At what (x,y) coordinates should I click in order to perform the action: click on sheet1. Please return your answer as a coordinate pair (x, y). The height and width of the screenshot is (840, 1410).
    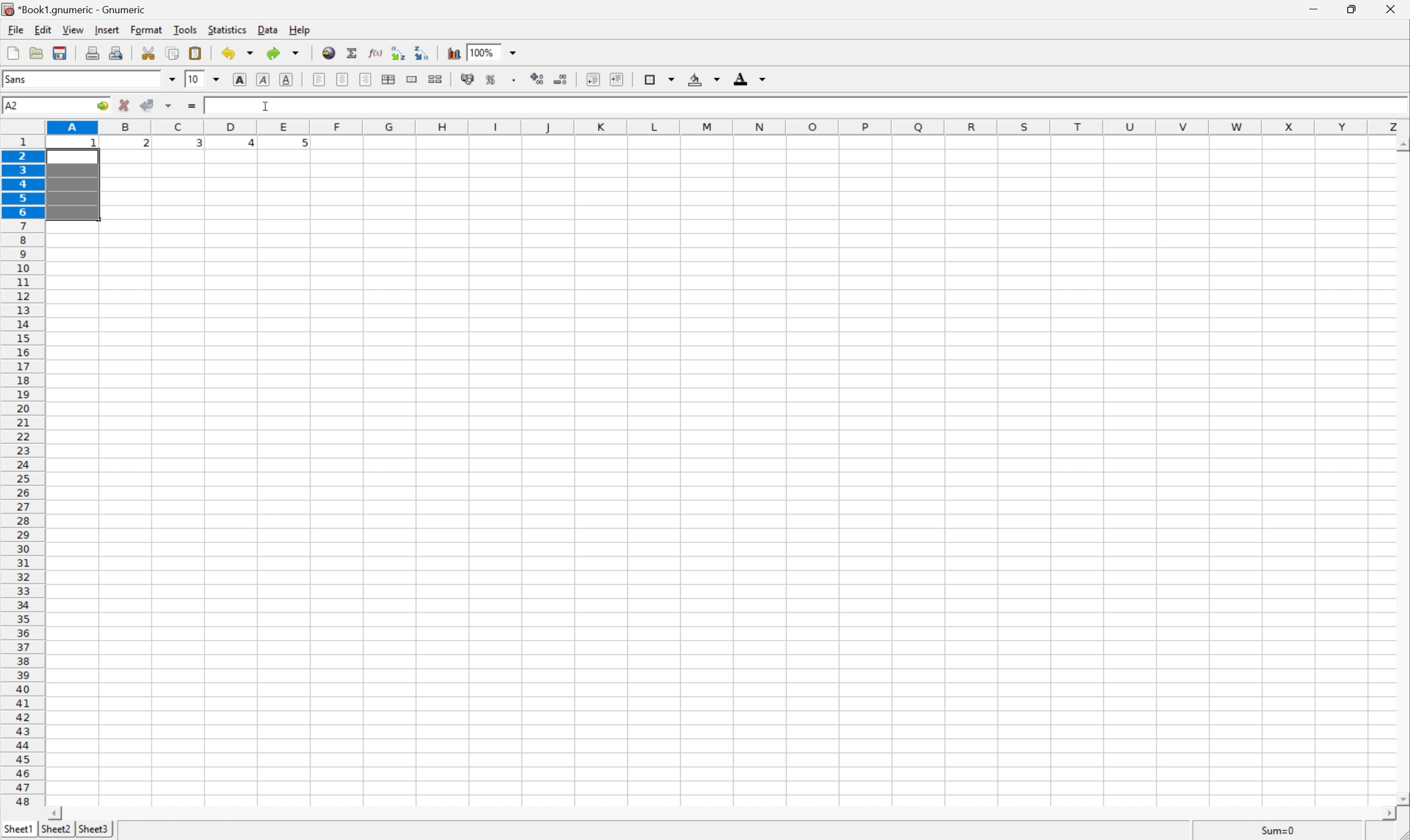
    Looking at the image, I should click on (17, 832).